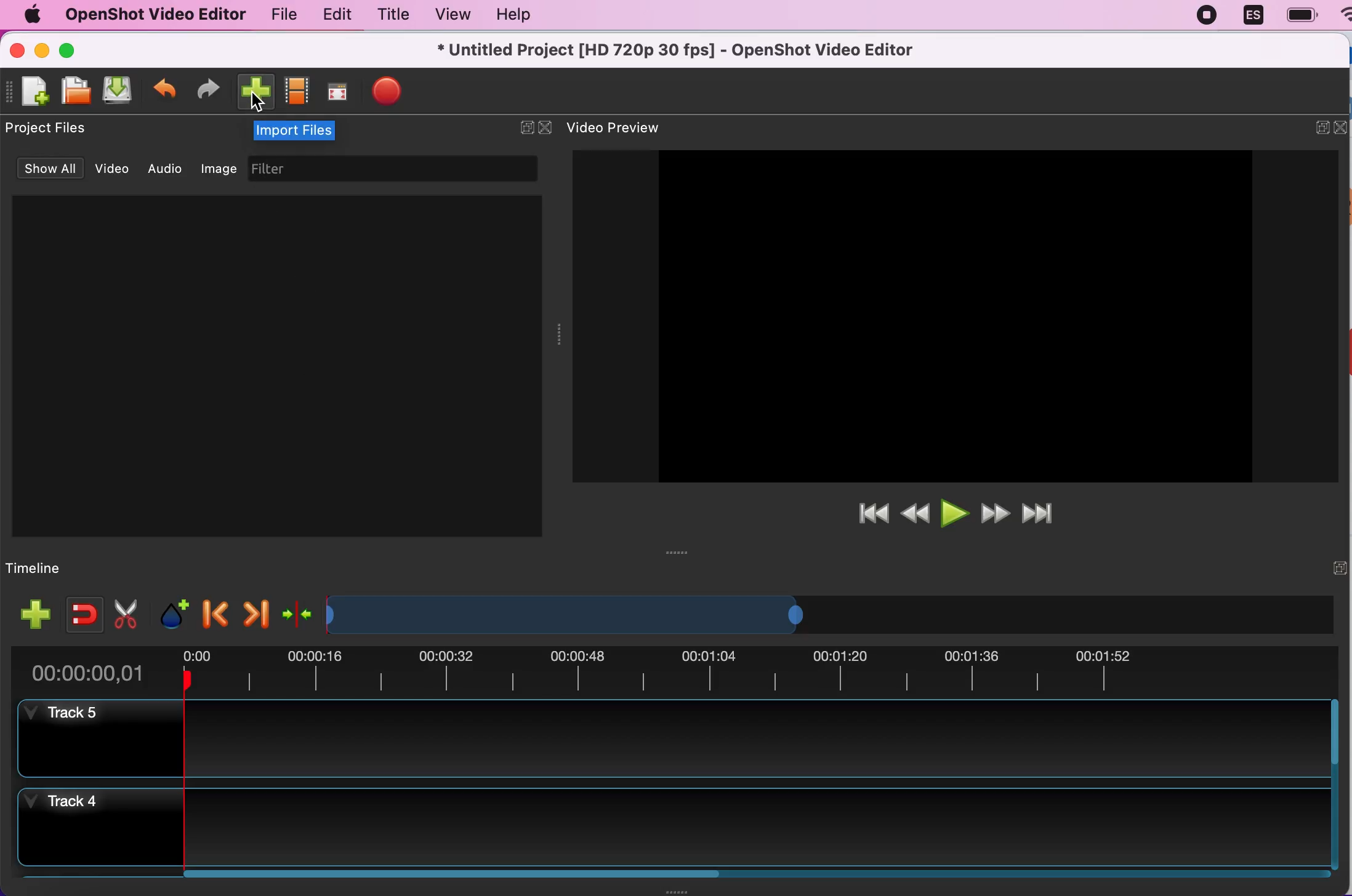 Image resolution: width=1352 pixels, height=896 pixels. What do you see at coordinates (943, 313) in the screenshot?
I see `video preview` at bounding box center [943, 313].